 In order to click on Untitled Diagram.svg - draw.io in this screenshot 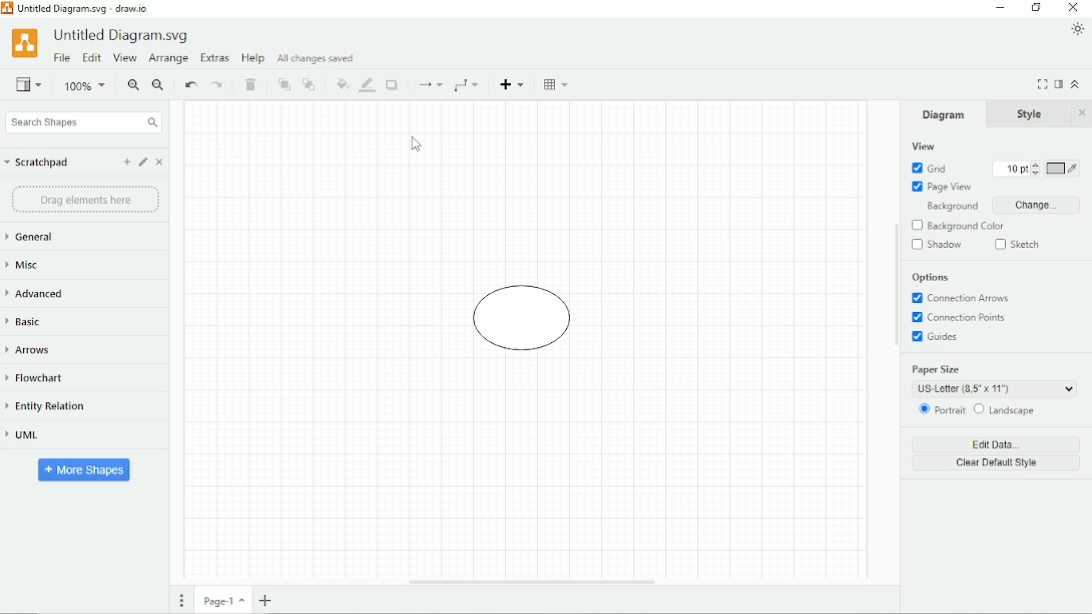, I will do `click(83, 10)`.